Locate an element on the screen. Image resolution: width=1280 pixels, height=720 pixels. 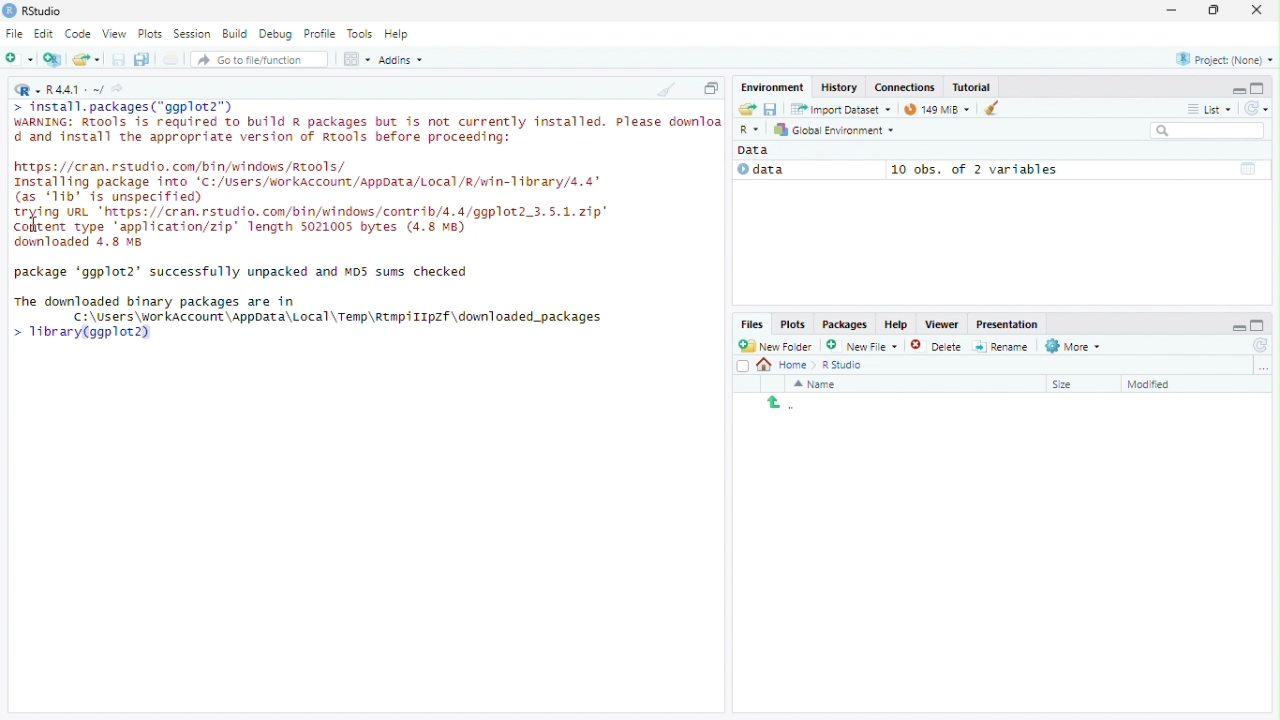
open an existing file is located at coordinates (89, 59).